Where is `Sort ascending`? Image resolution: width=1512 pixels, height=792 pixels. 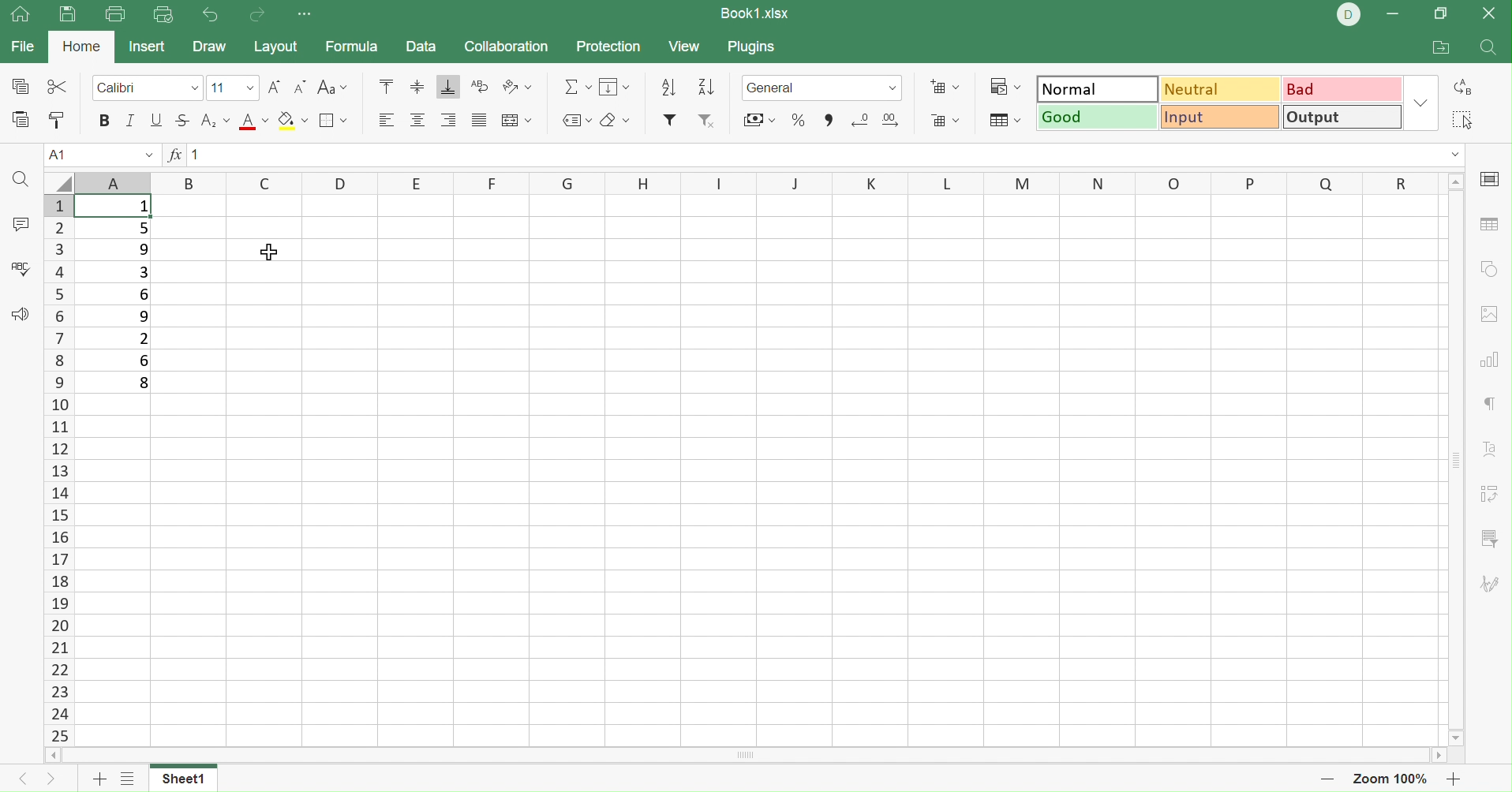
Sort ascending is located at coordinates (707, 84).